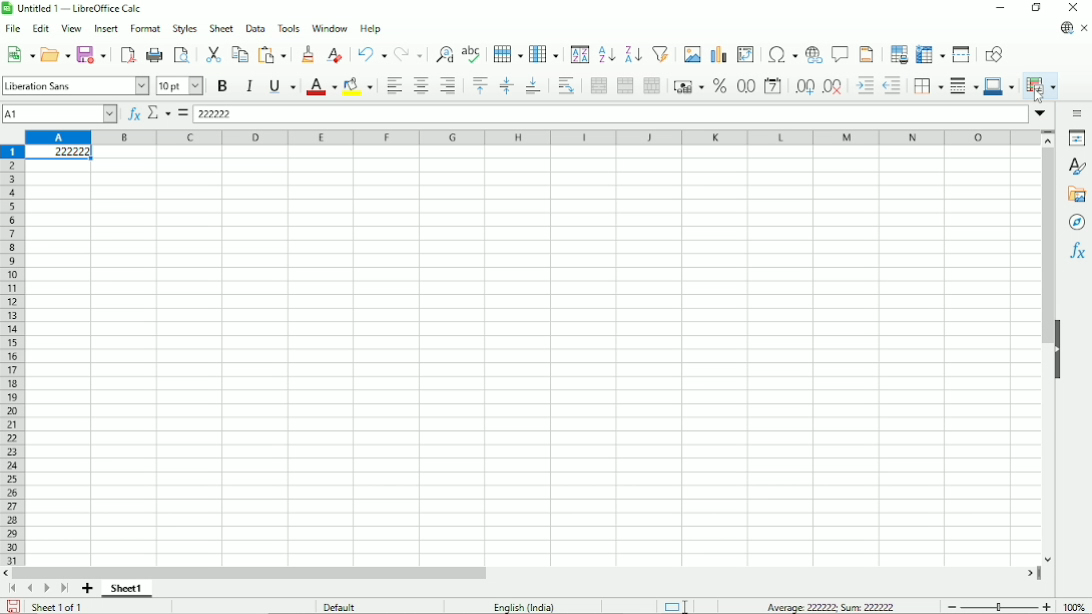  Describe the element at coordinates (652, 85) in the screenshot. I see `Unmerge cells` at that location.